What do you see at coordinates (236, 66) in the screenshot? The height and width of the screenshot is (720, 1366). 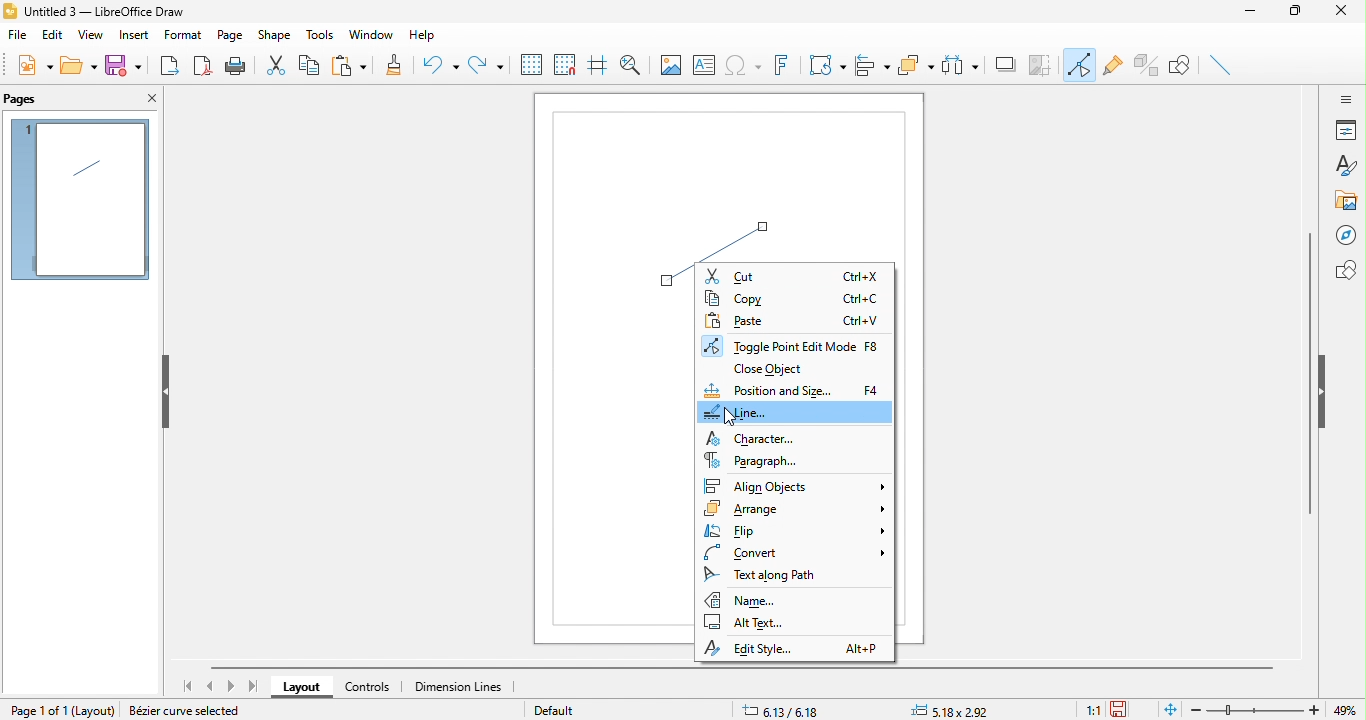 I see `print` at bounding box center [236, 66].